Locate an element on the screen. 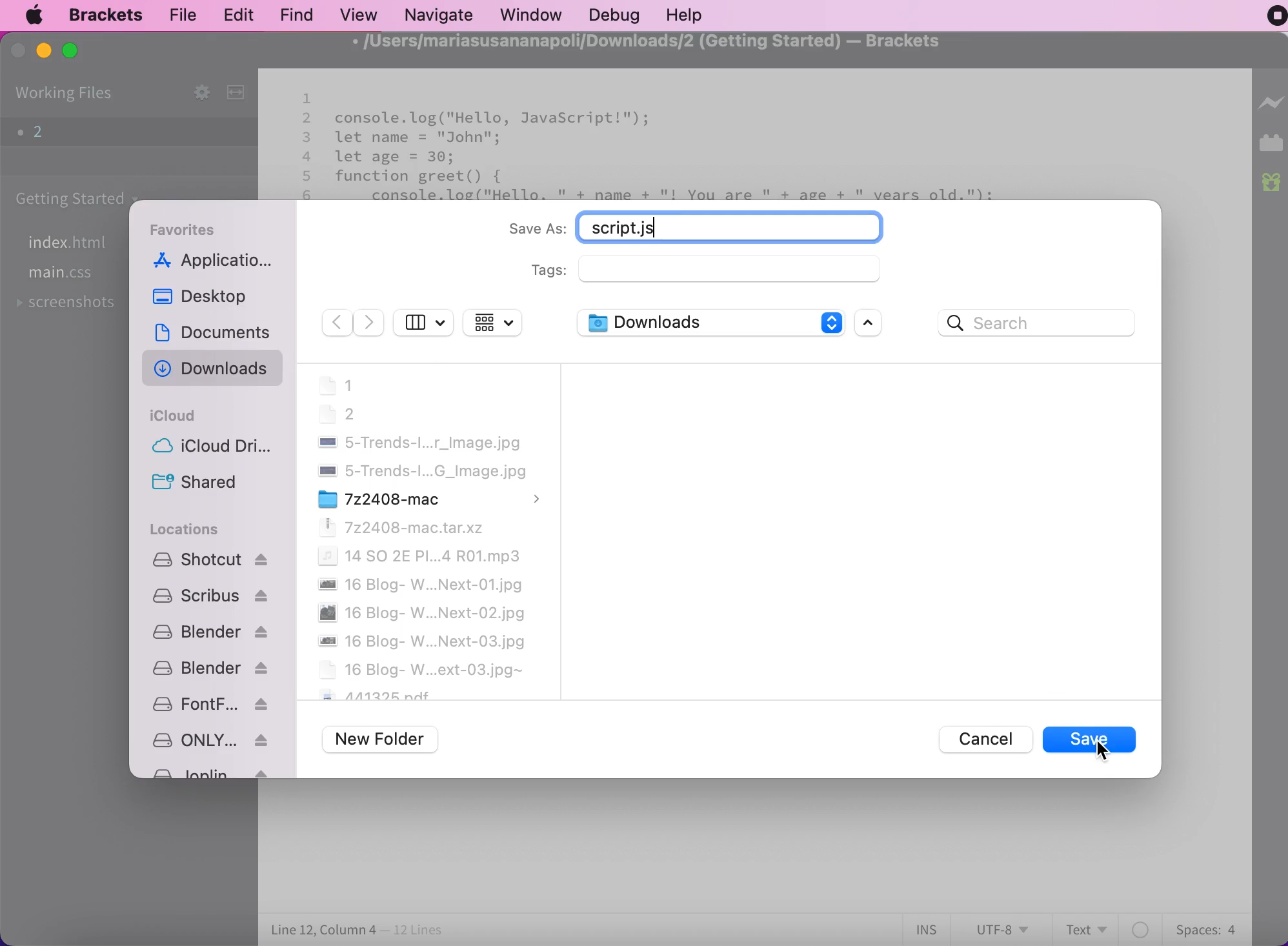  ONLY is located at coordinates (209, 740).